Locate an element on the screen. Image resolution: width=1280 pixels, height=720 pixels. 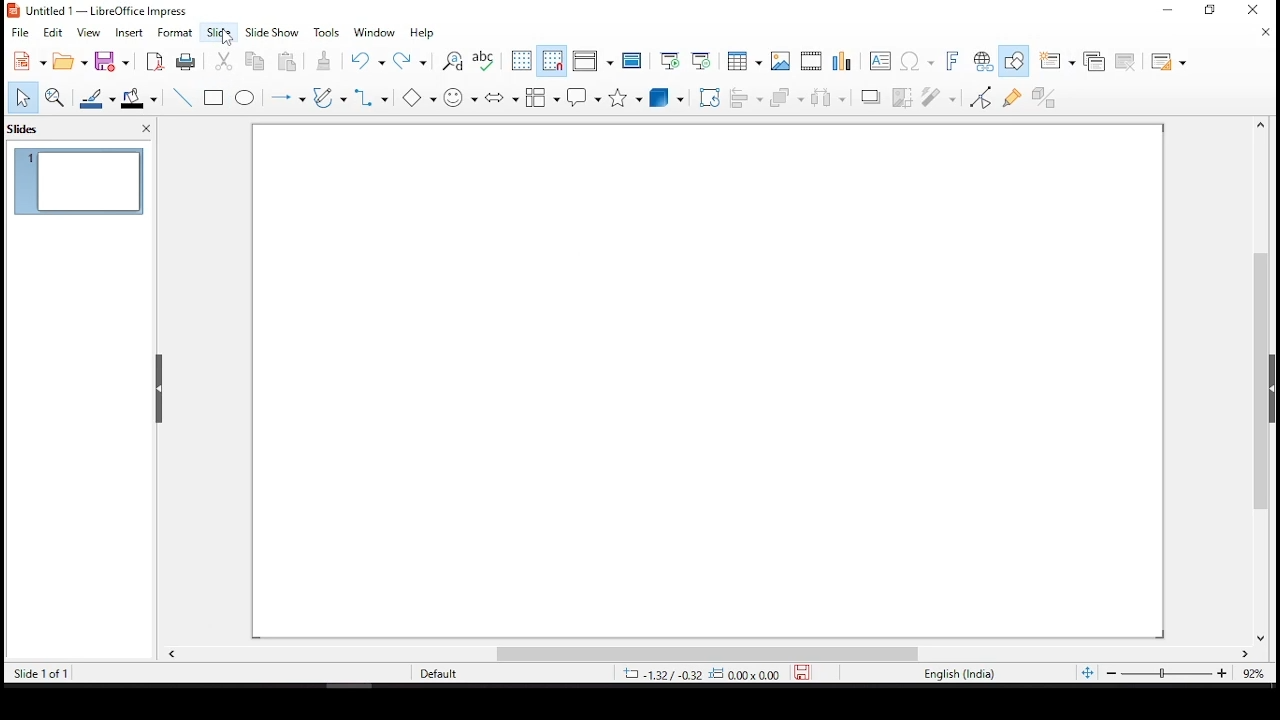
start from first slide is located at coordinates (671, 59).